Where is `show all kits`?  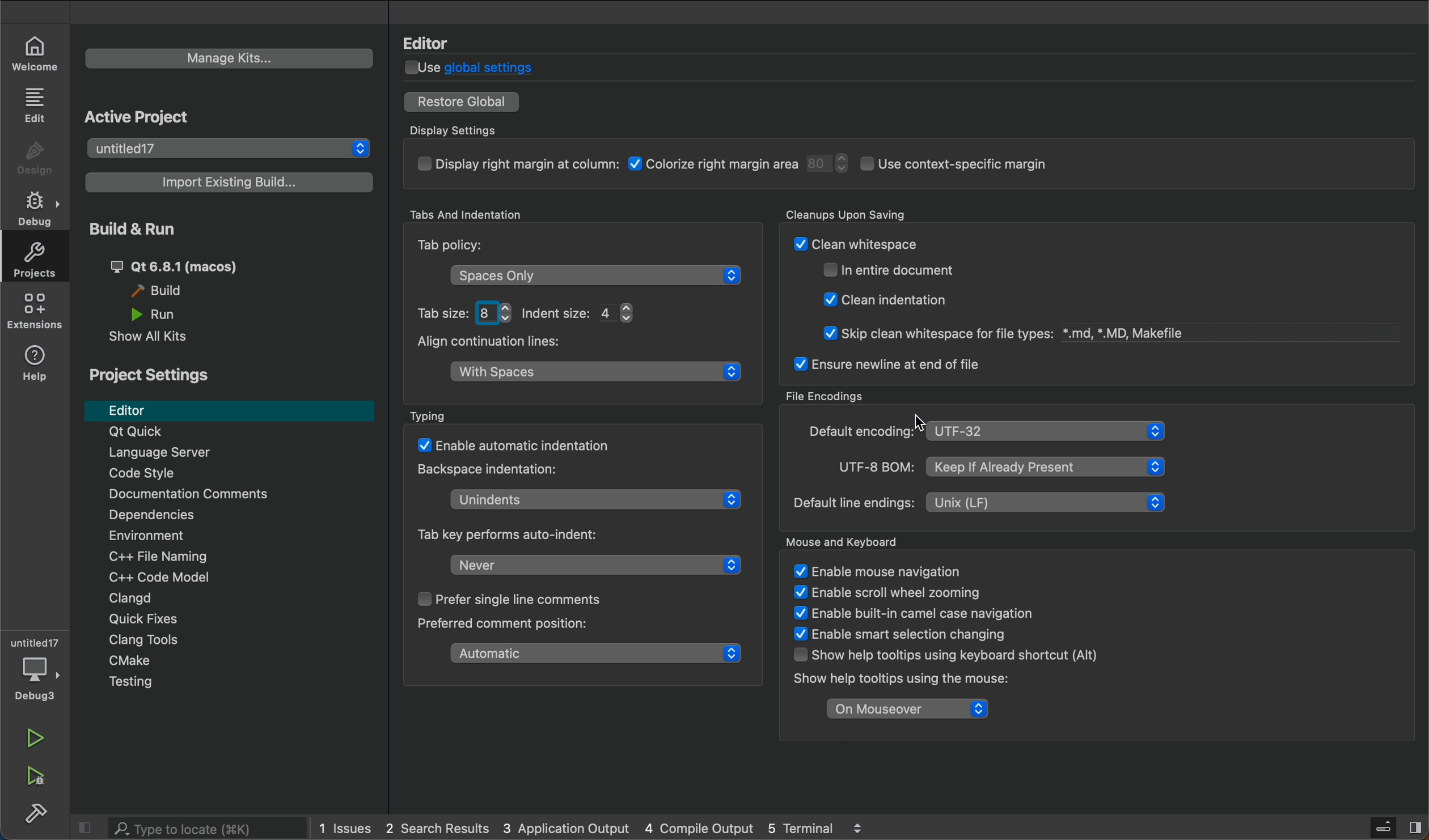 show all kits is located at coordinates (151, 340).